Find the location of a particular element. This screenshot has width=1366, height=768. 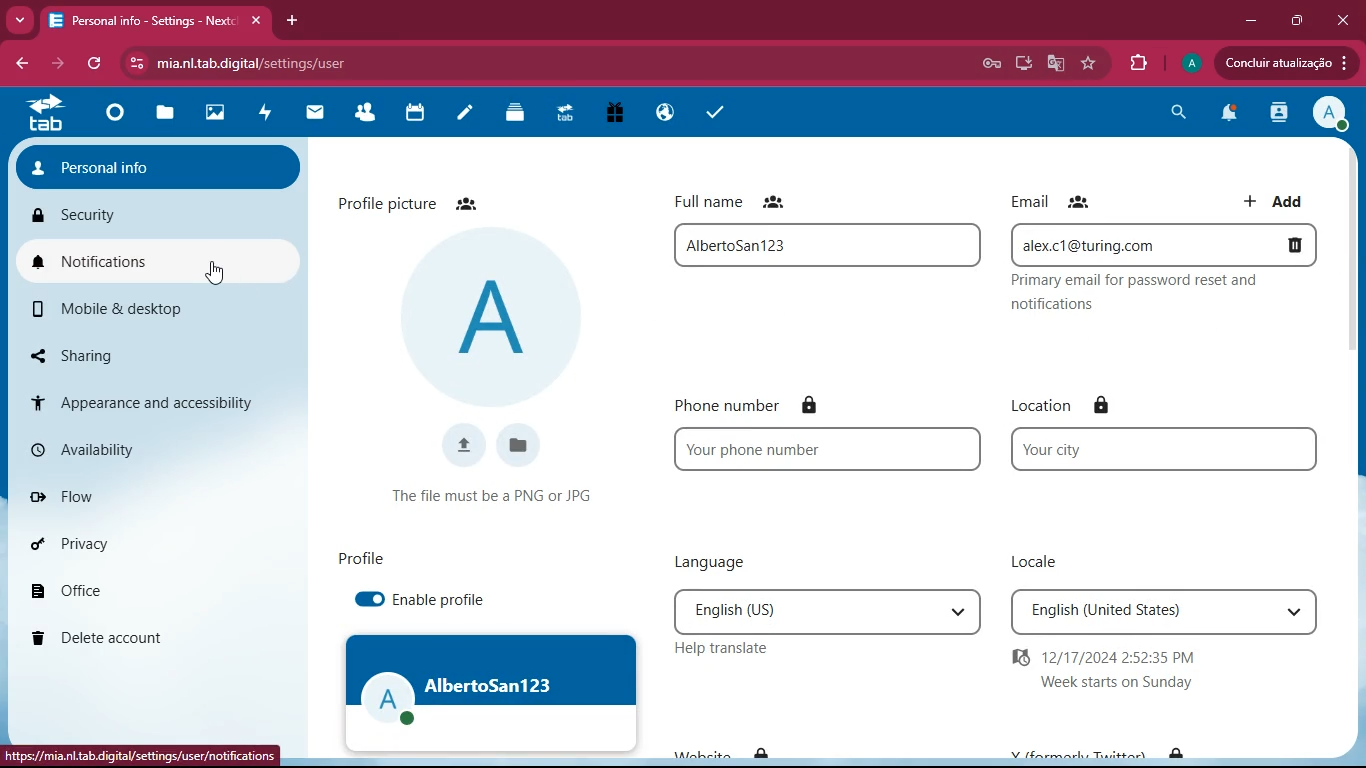

close is located at coordinates (1344, 17).